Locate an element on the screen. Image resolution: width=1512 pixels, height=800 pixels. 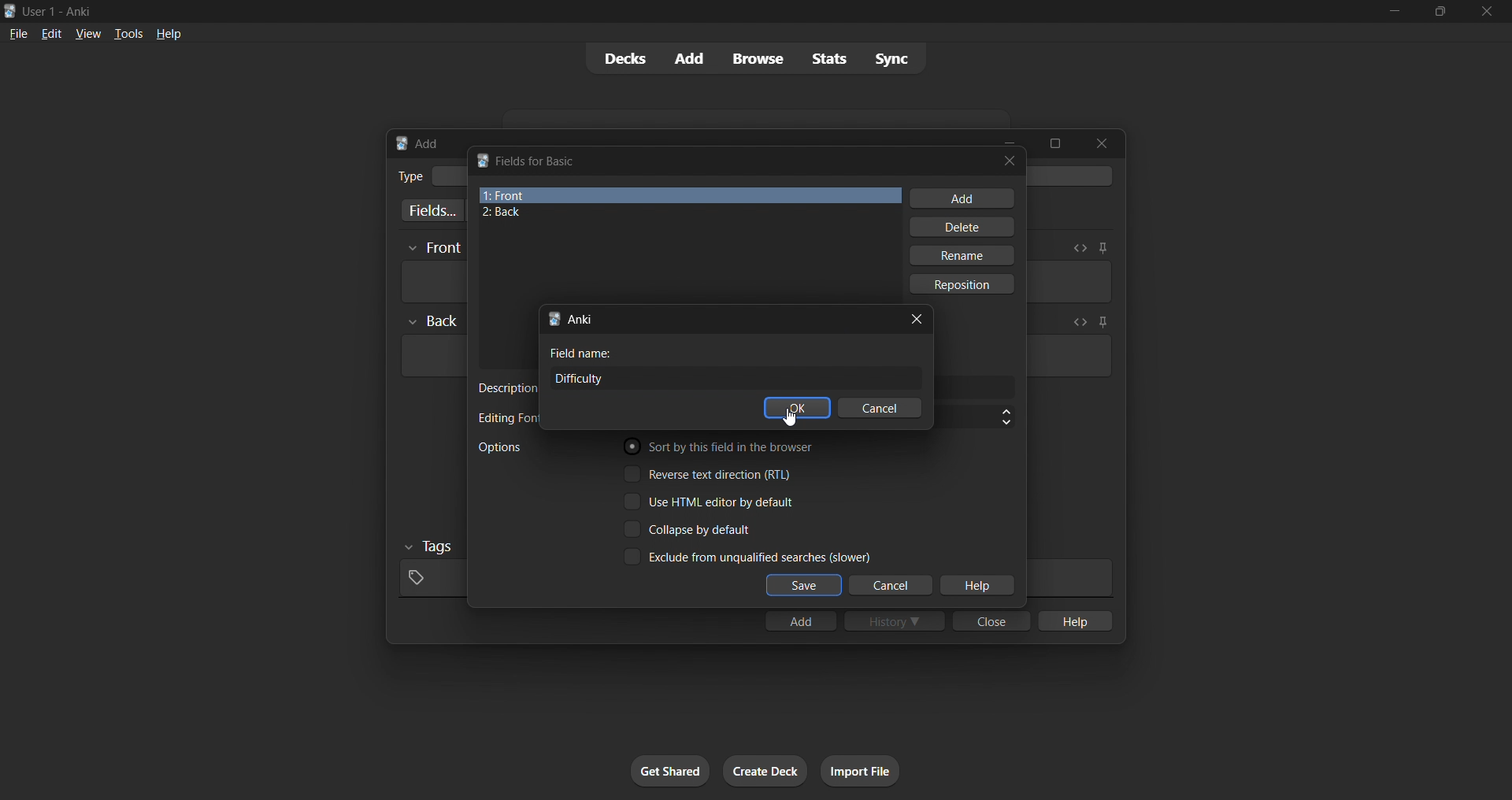
Toggle is located at coordinates (690, 529).